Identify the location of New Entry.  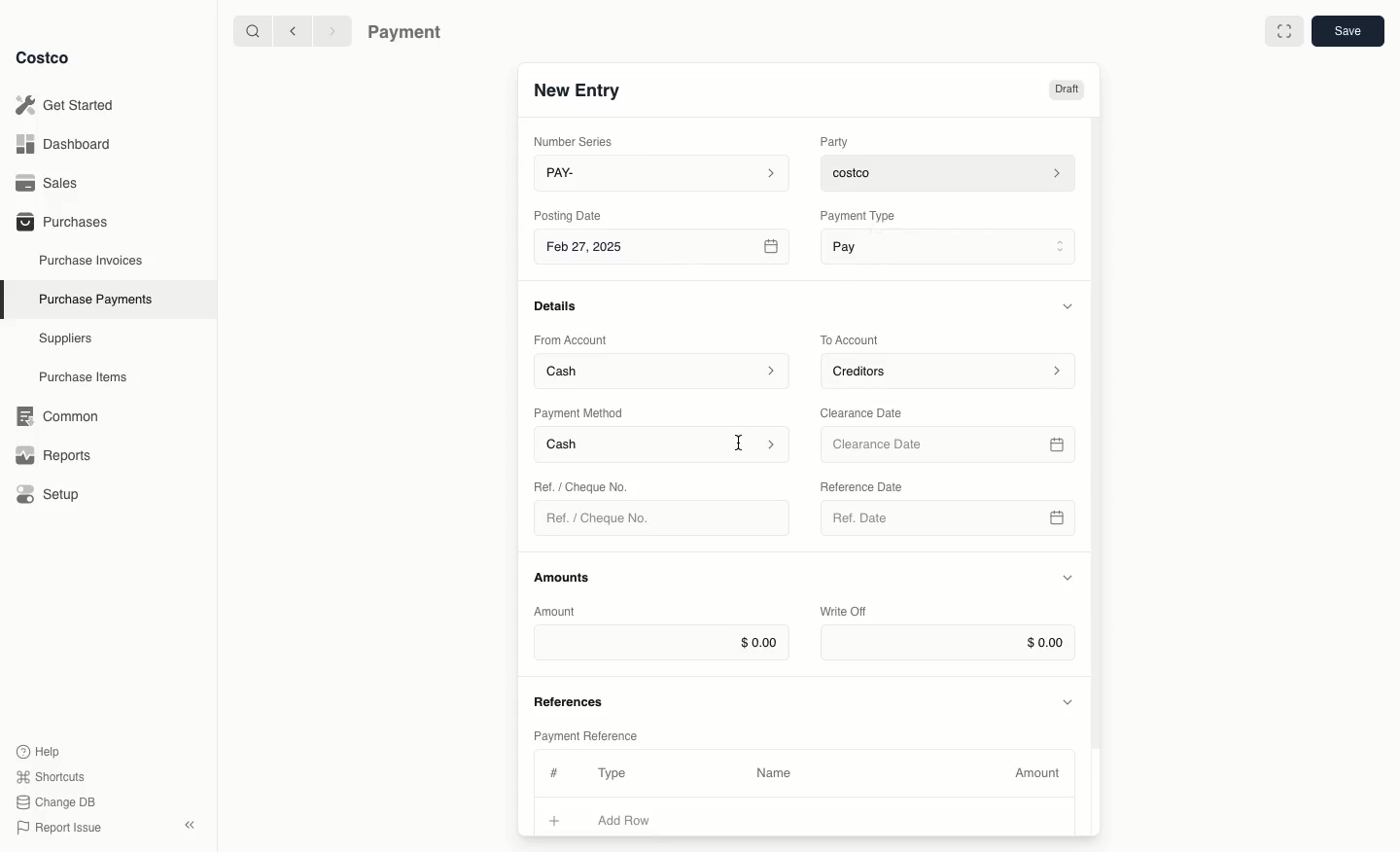
(578, 89).